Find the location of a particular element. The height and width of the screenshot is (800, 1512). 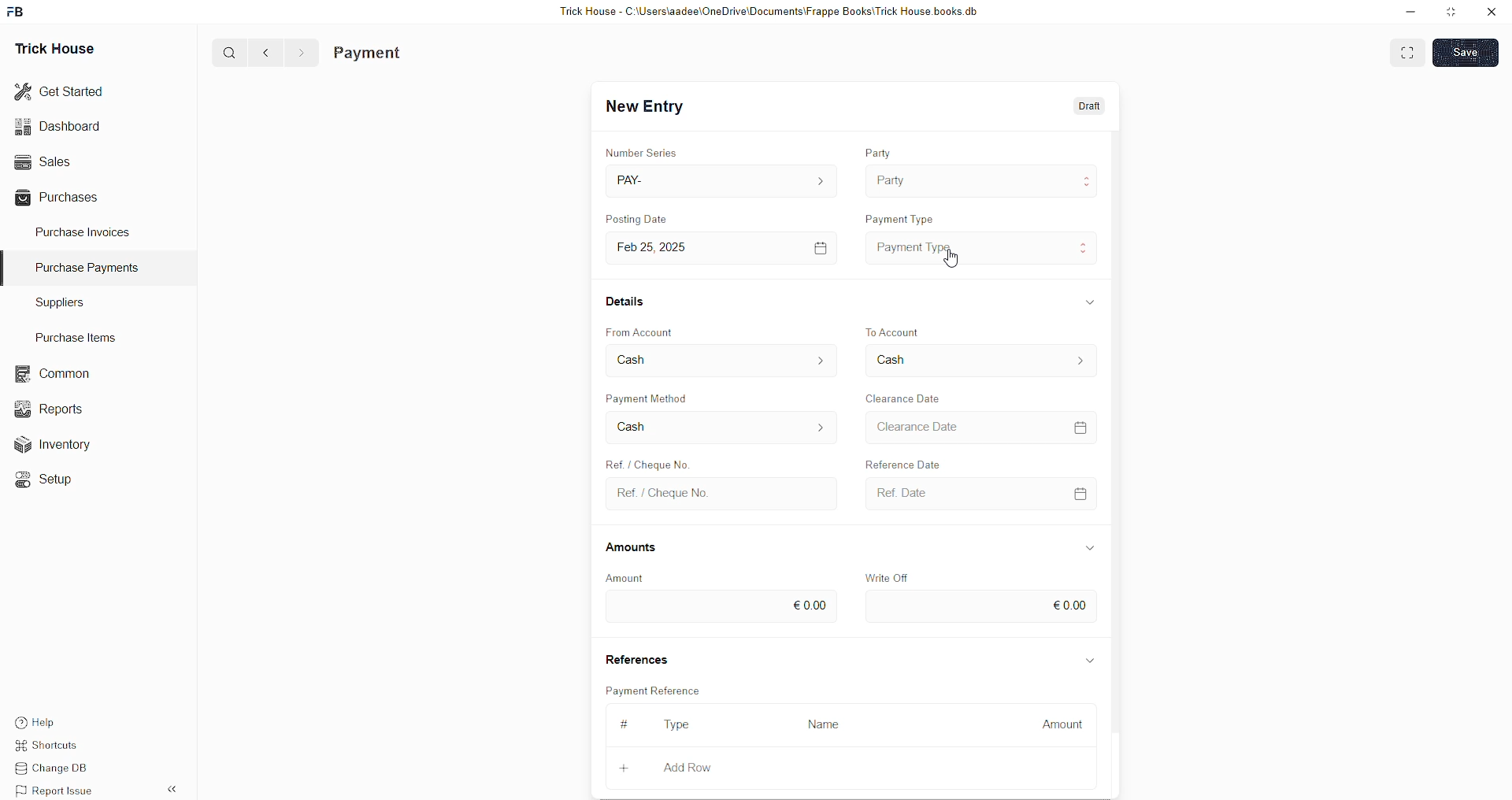

«© Setup is located at coordinates (49, 480).